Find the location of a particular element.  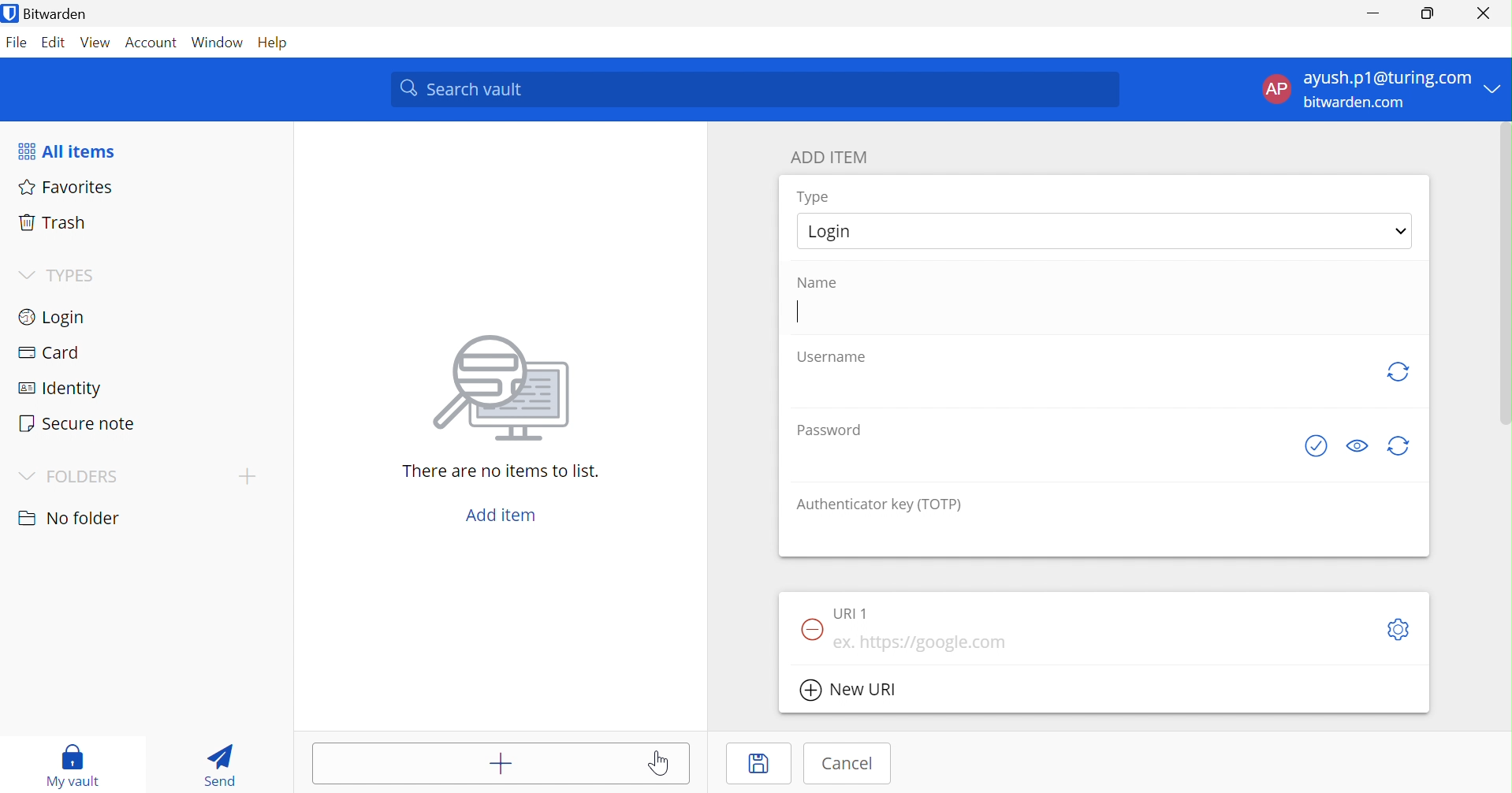

FOLDERS is located at coordinates (84, 478).